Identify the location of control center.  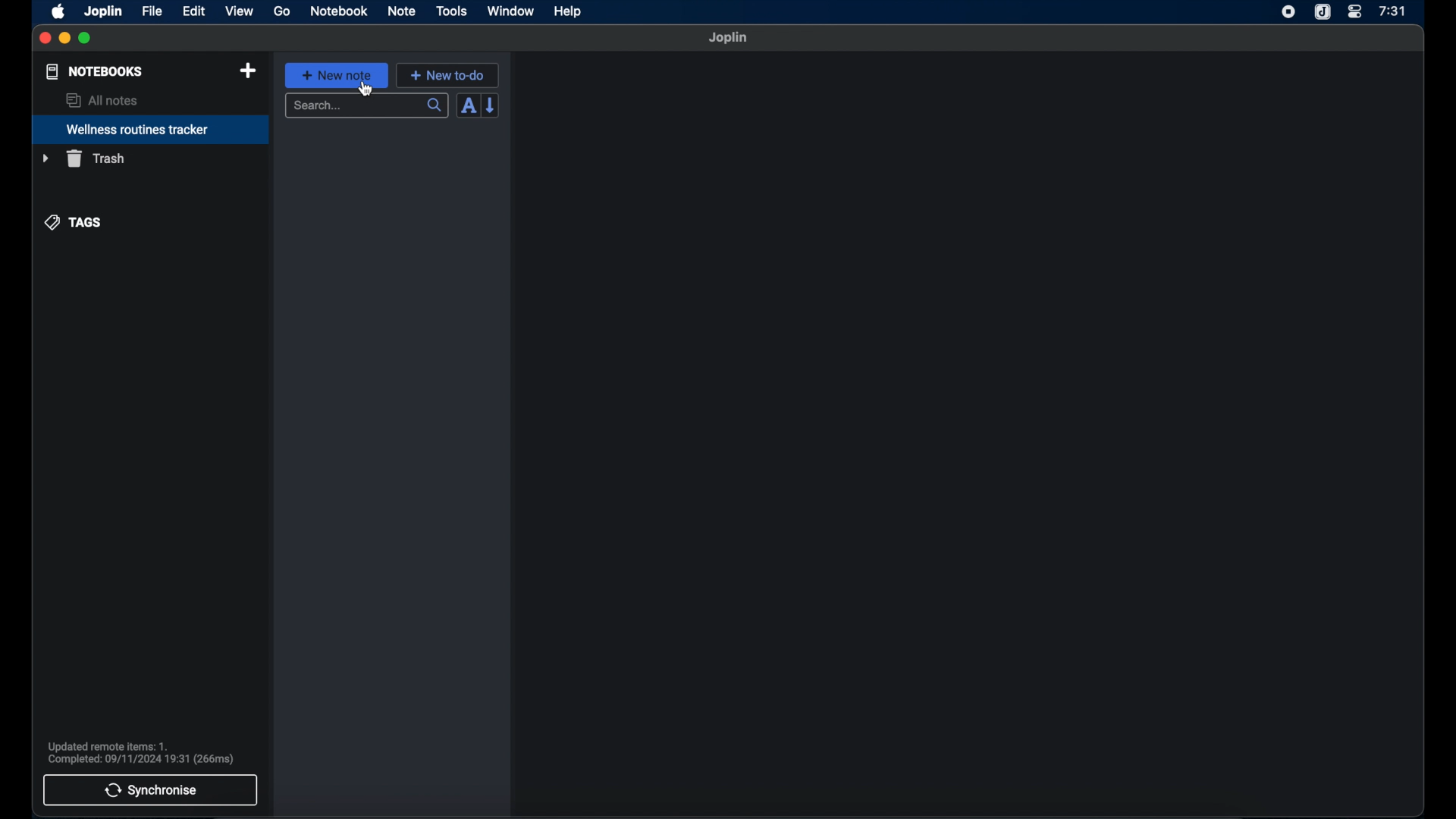
(1355, 12).